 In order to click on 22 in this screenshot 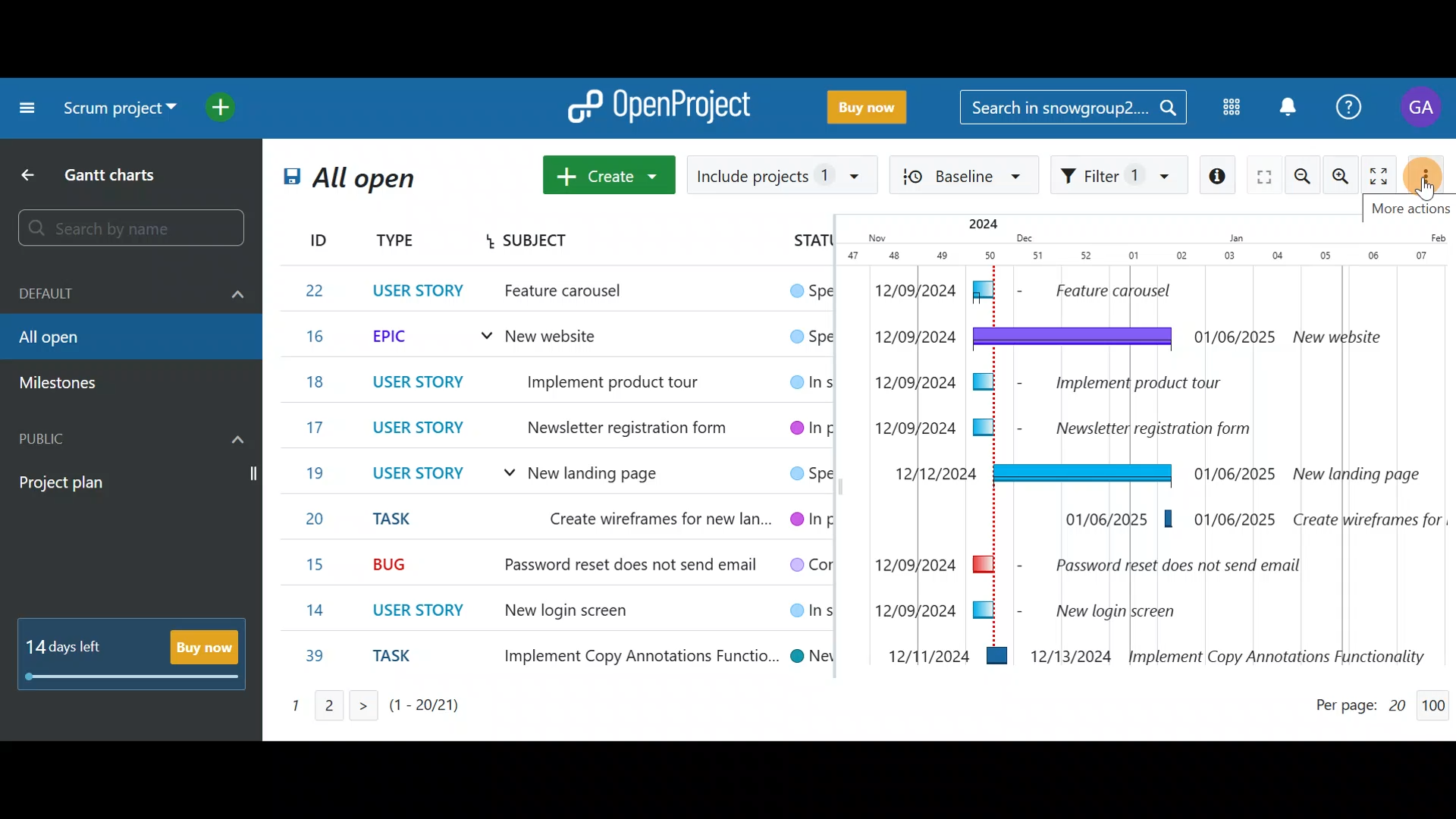, I will do `click(318, 290)`.